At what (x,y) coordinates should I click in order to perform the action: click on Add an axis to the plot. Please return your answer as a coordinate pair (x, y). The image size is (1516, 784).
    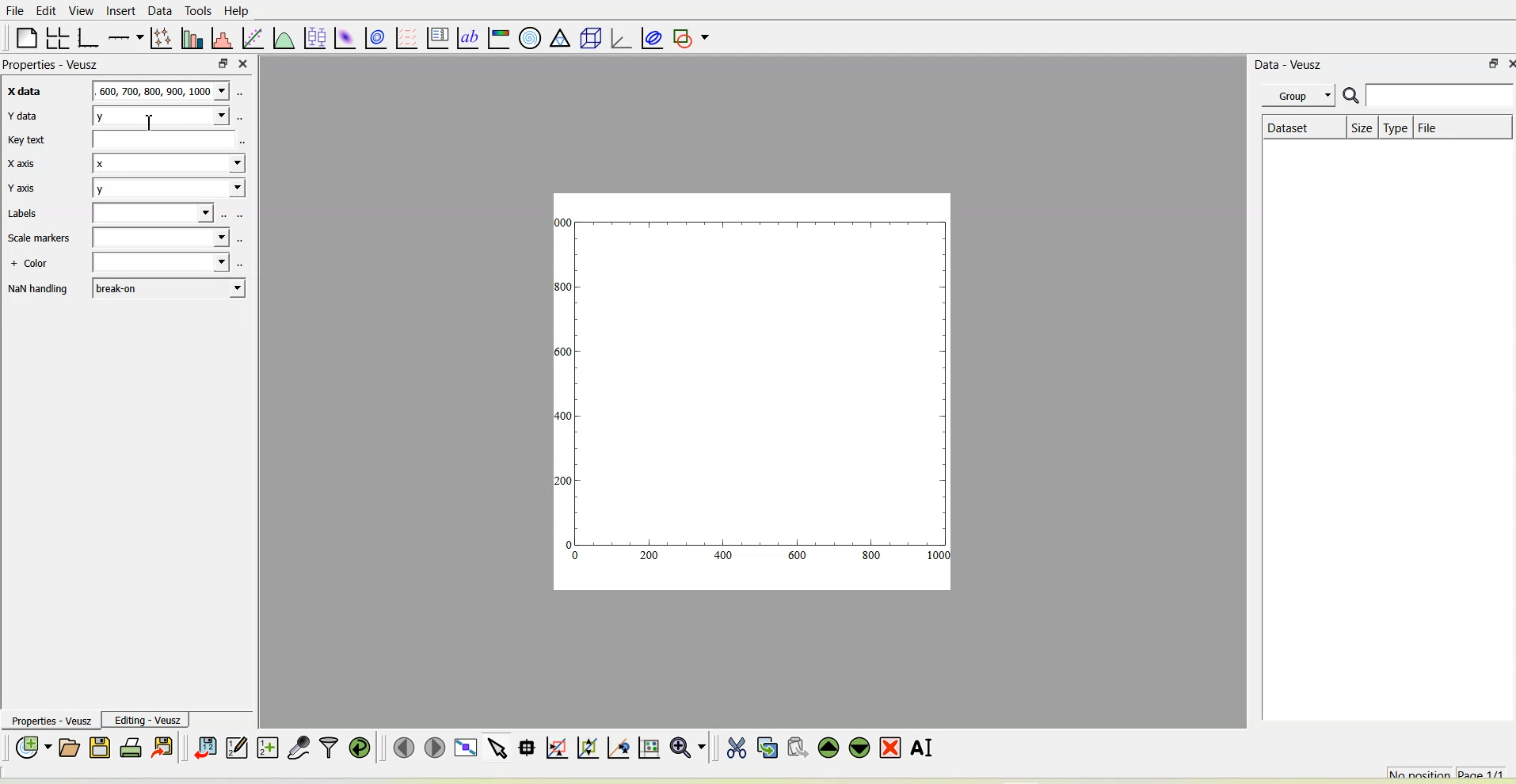
    Looking at the image, I should click on (124, 37).